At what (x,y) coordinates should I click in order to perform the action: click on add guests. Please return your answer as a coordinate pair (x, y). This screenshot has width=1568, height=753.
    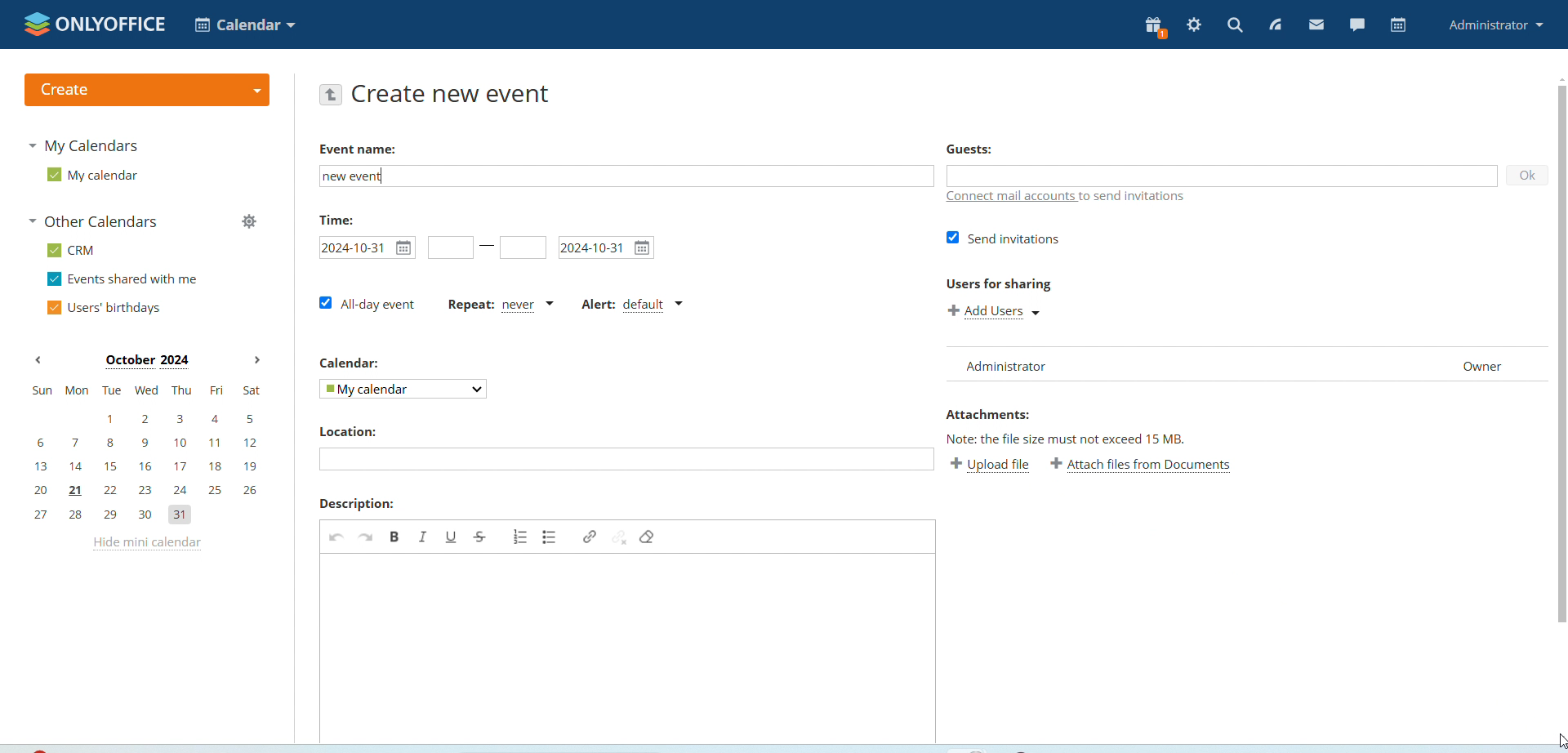
    Looking at the image, I should click on (1223, 176).